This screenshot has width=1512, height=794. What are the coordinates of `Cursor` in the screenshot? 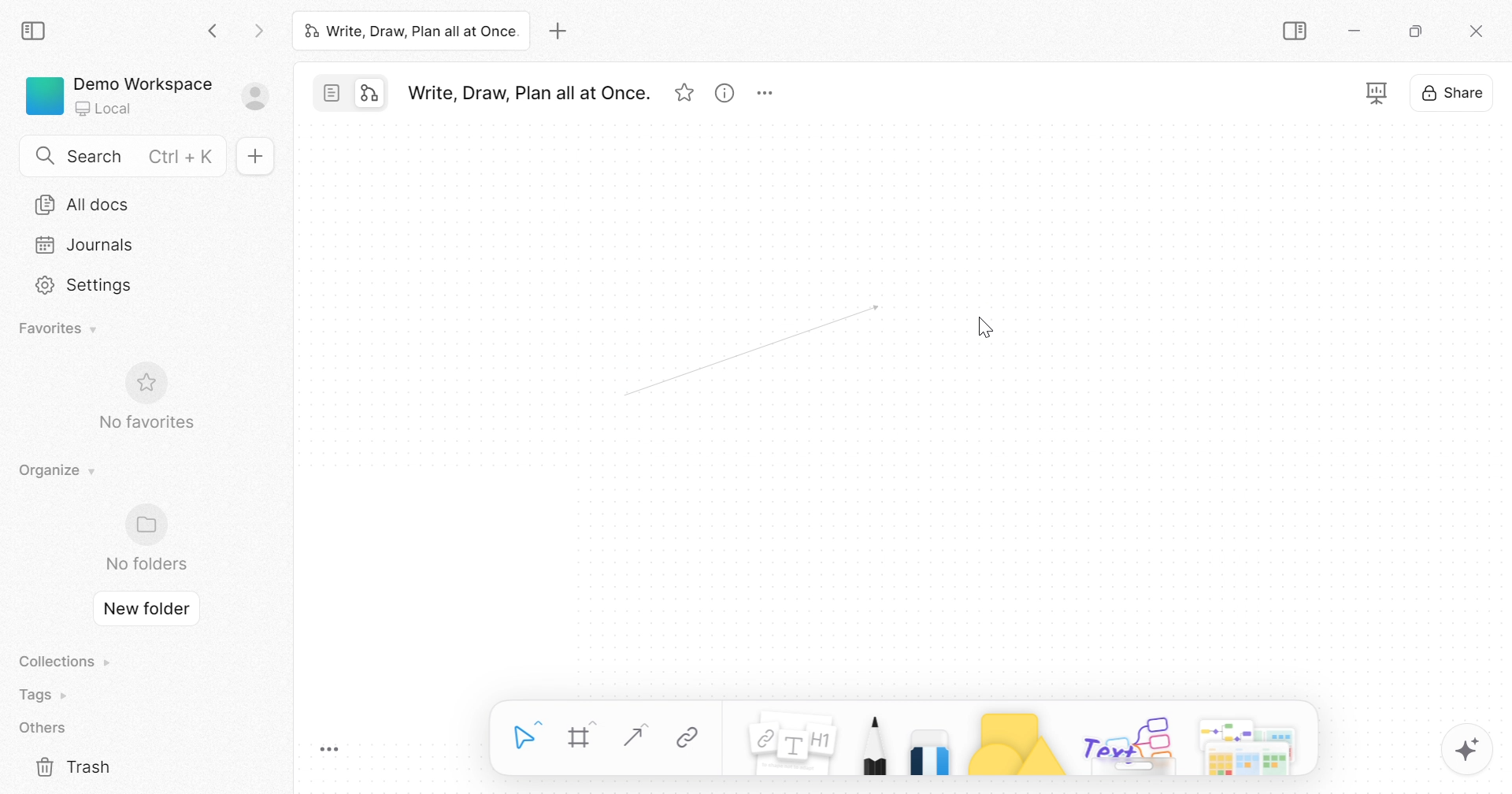 It's located at (987, 327).